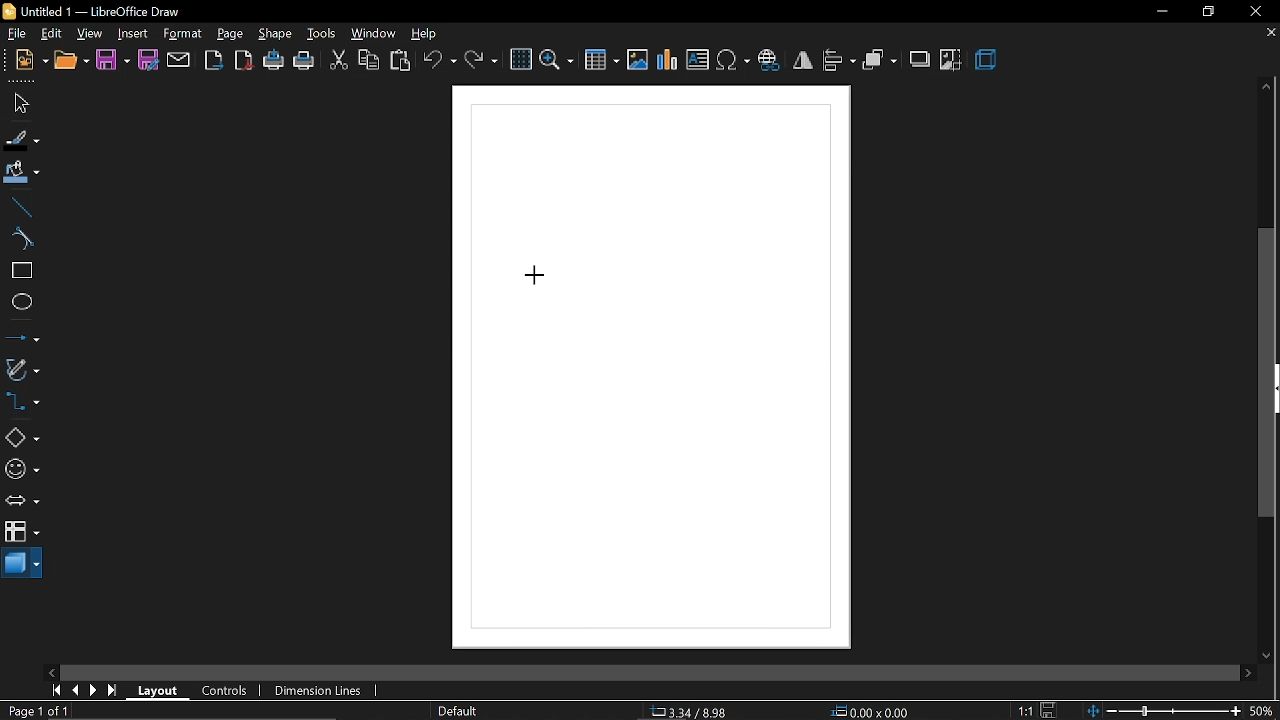 The image size is (1280, 720). I want to click on insert chart, so click(668, 60).